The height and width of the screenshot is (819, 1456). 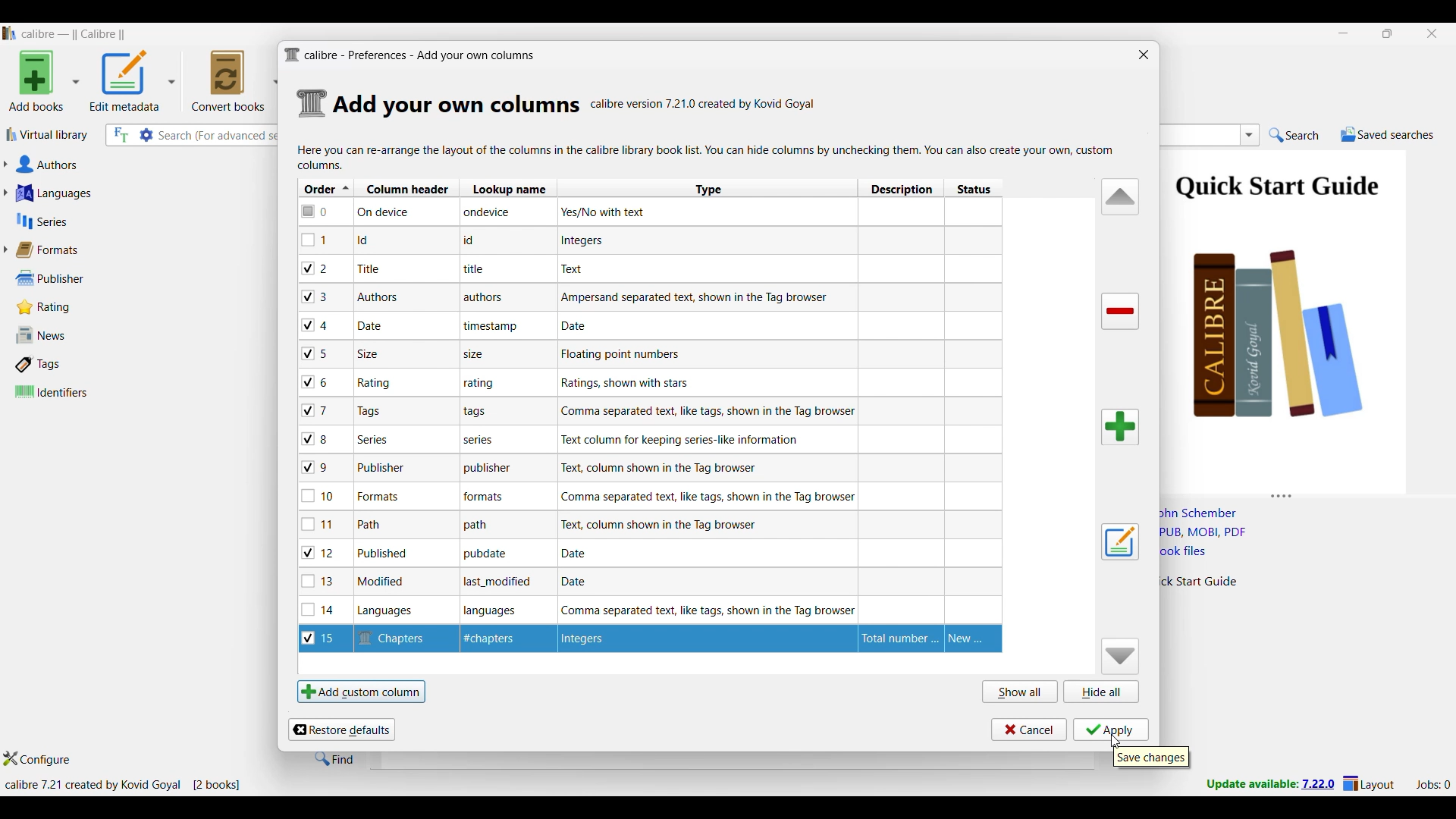 I want to click on Column header column, so click(x=407, y=187).